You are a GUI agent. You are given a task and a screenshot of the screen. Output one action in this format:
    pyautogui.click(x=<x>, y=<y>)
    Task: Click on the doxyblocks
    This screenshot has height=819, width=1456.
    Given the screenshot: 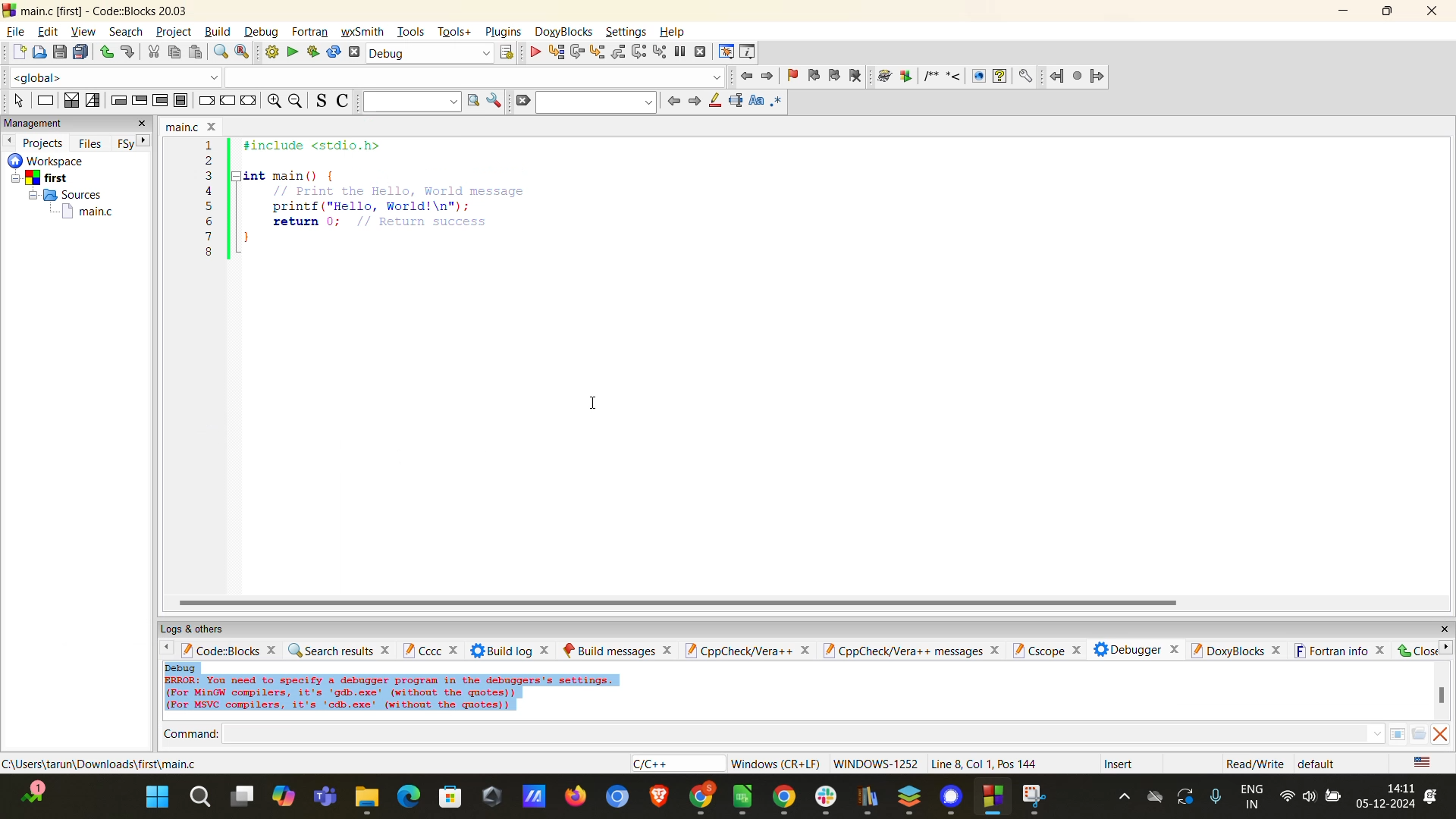 What is the action you would take?
    pyautogui.click(x=1235, y=648)
    